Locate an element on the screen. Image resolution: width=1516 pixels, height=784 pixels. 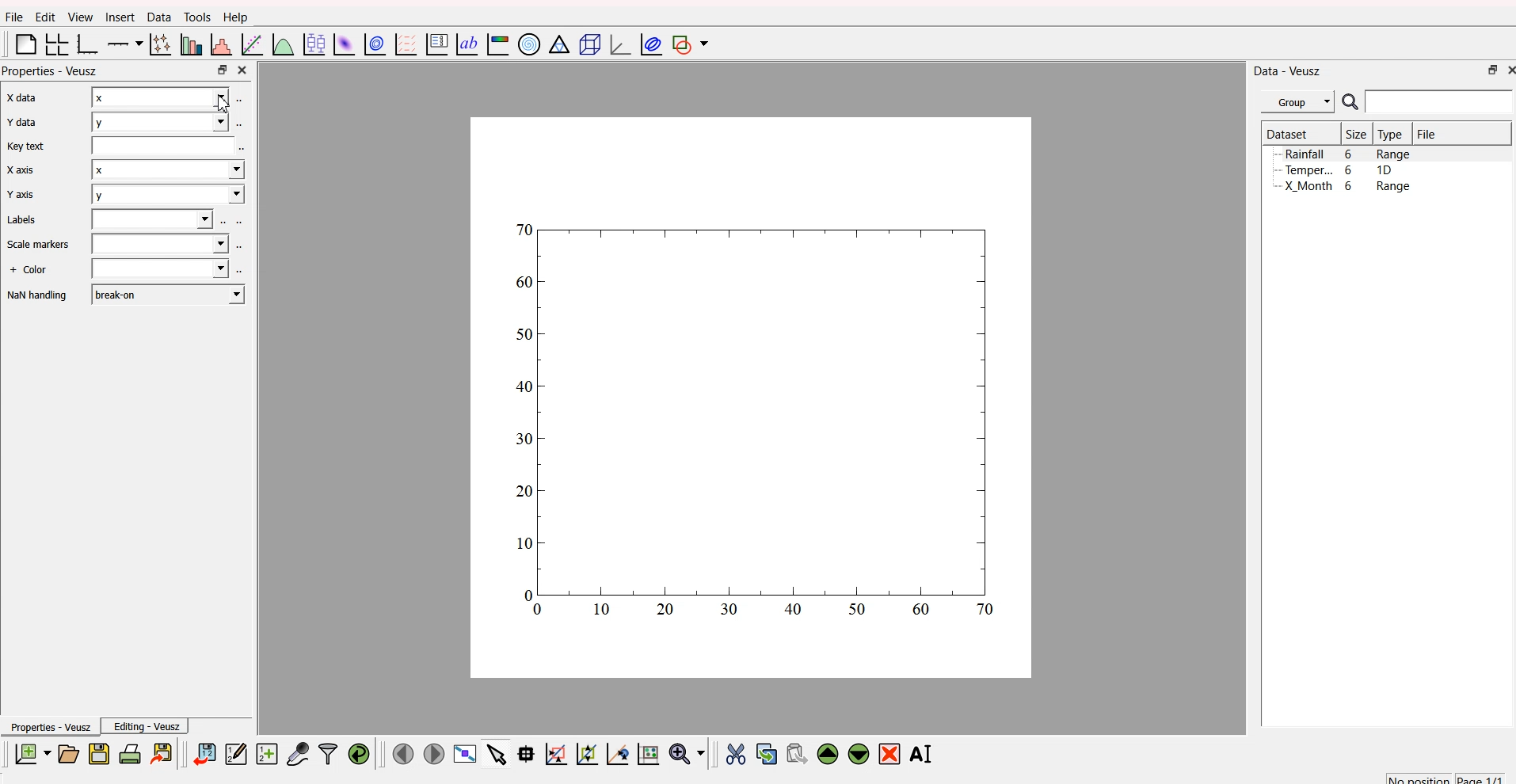
move to previous page is located at coordinates (403, 752).